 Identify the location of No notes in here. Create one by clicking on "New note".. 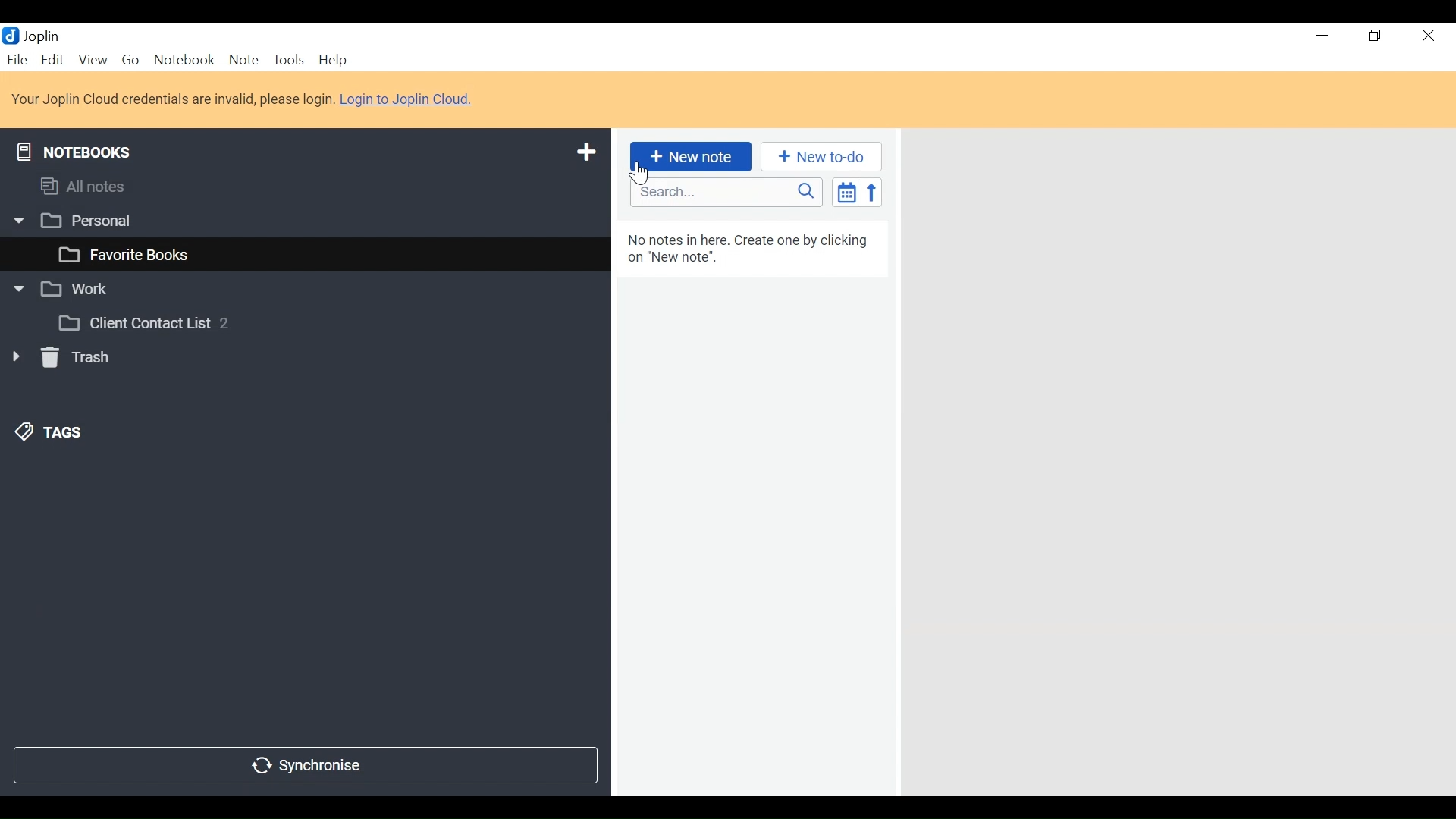
(752, 251).